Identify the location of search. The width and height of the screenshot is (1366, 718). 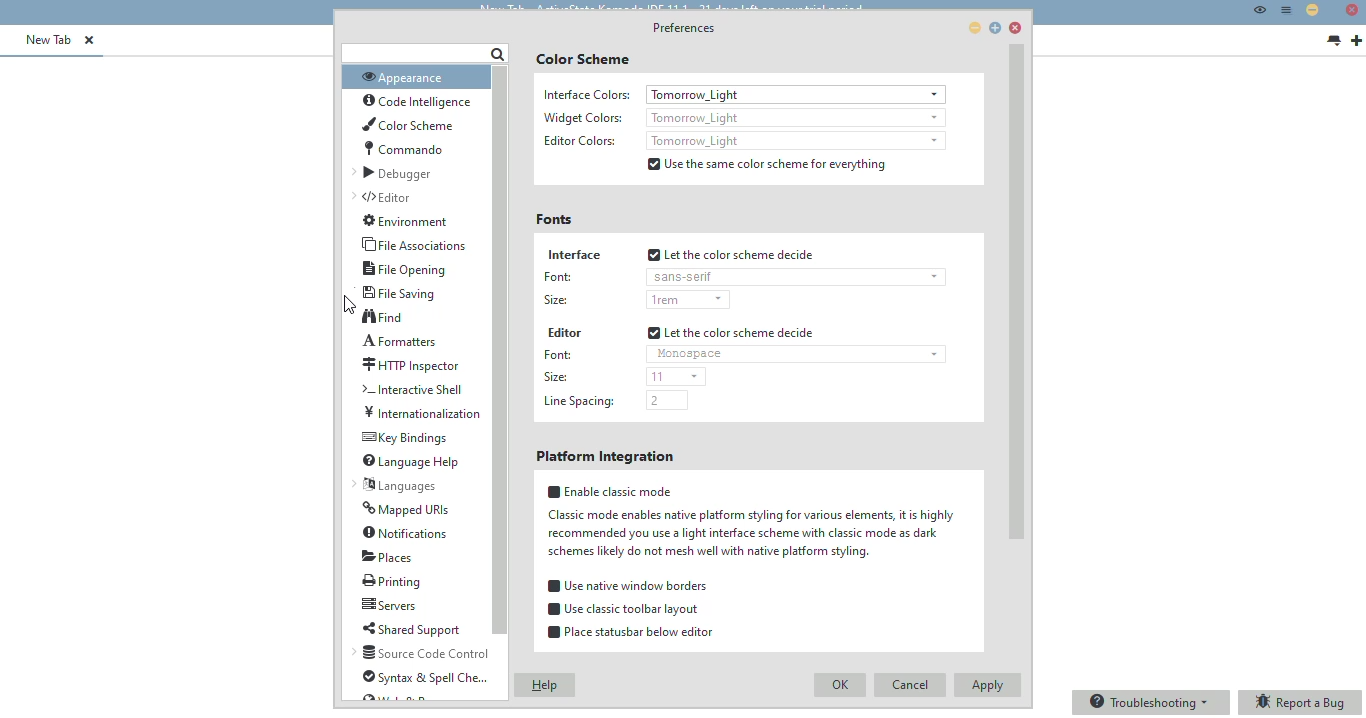
(424, 54).